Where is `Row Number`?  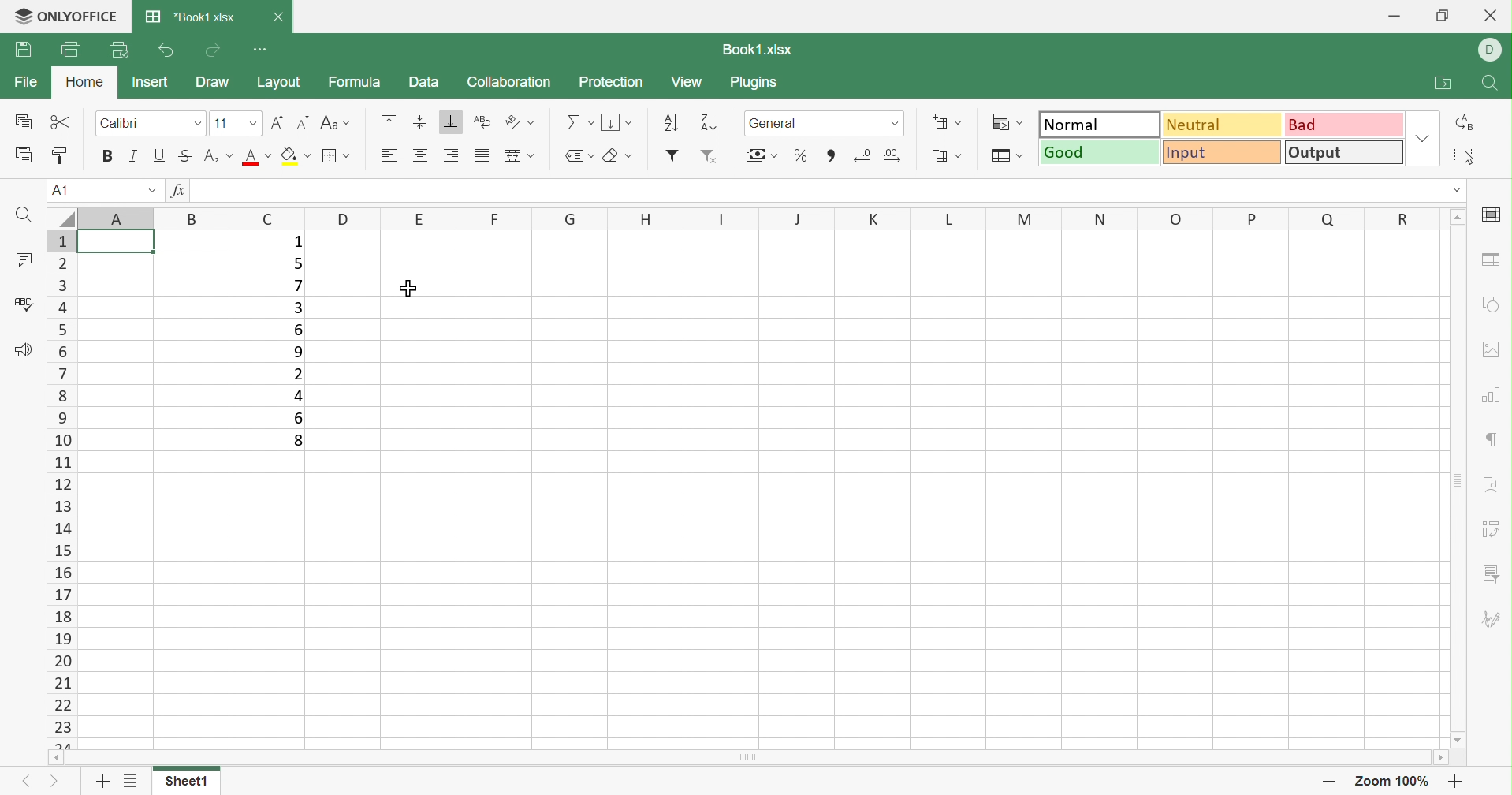 Row Number is located at coordinates (62, 488).